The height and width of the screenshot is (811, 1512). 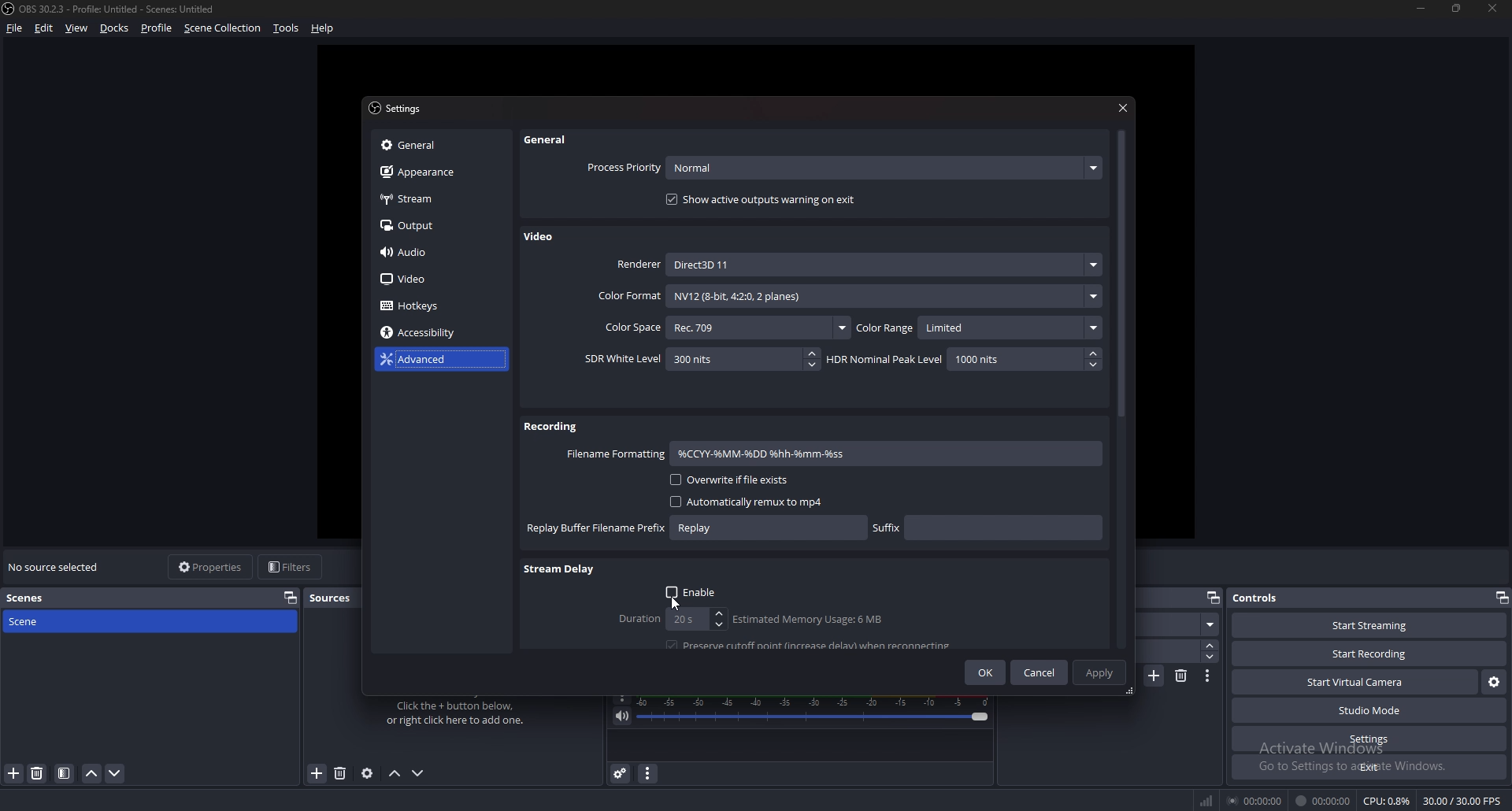 I want to click on scene filter, so click(x=63, y=773).